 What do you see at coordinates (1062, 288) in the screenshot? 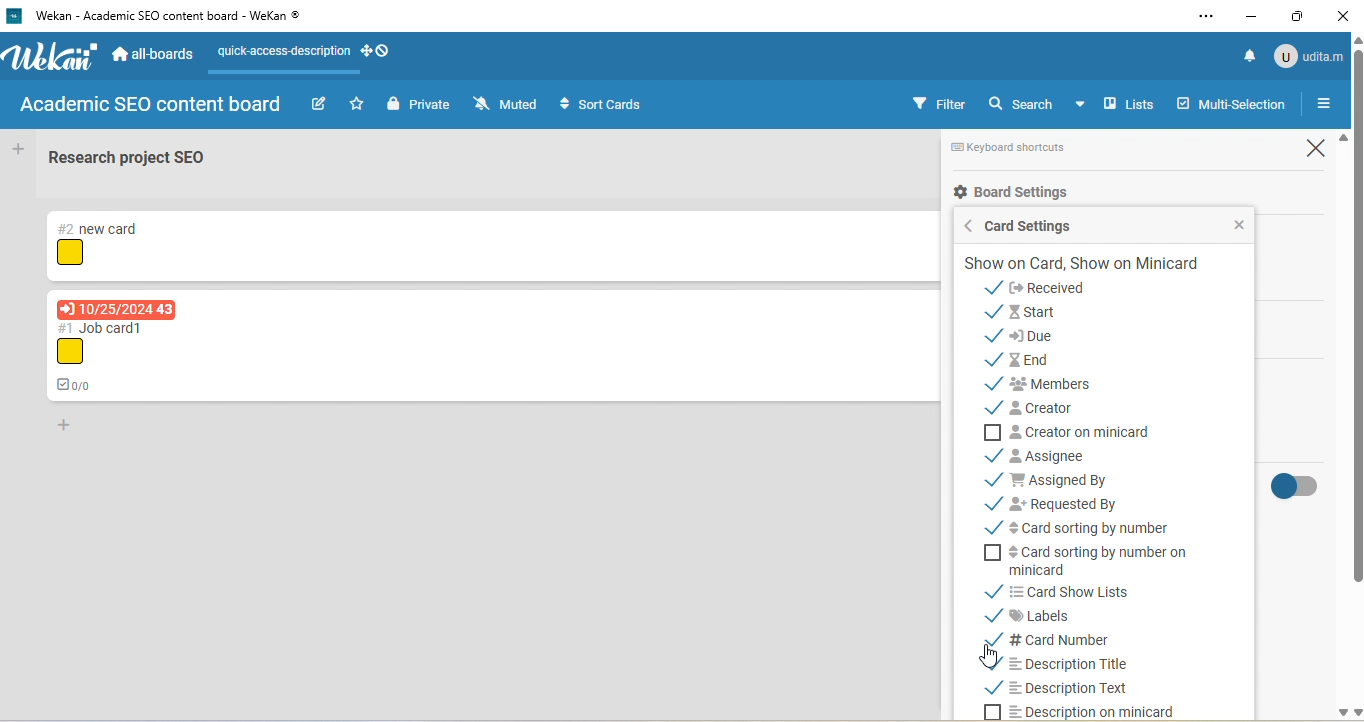
I see `received` at bounding box center [1062, 288].